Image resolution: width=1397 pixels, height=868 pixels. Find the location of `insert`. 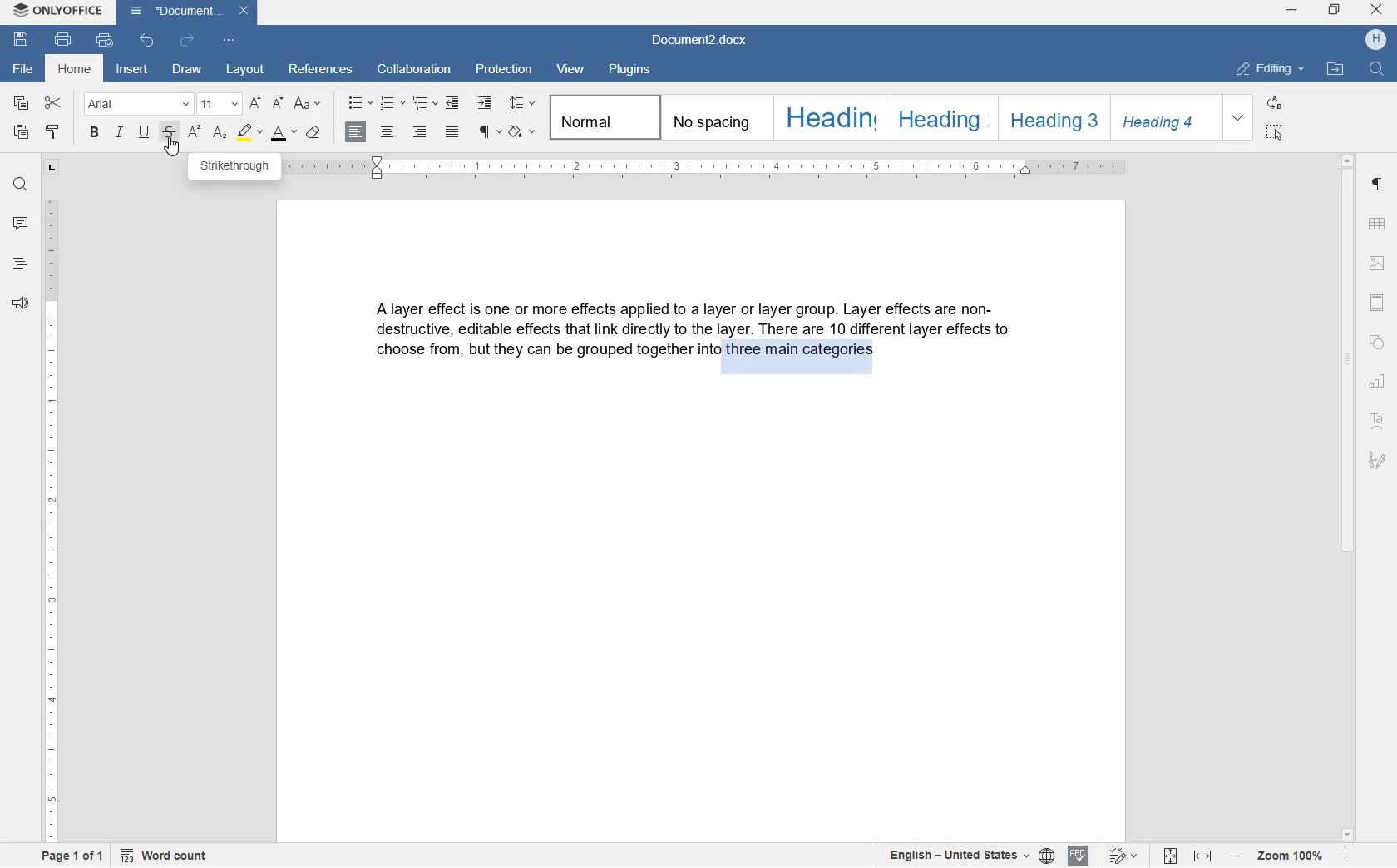

insert is located at coordinates (135, 72).